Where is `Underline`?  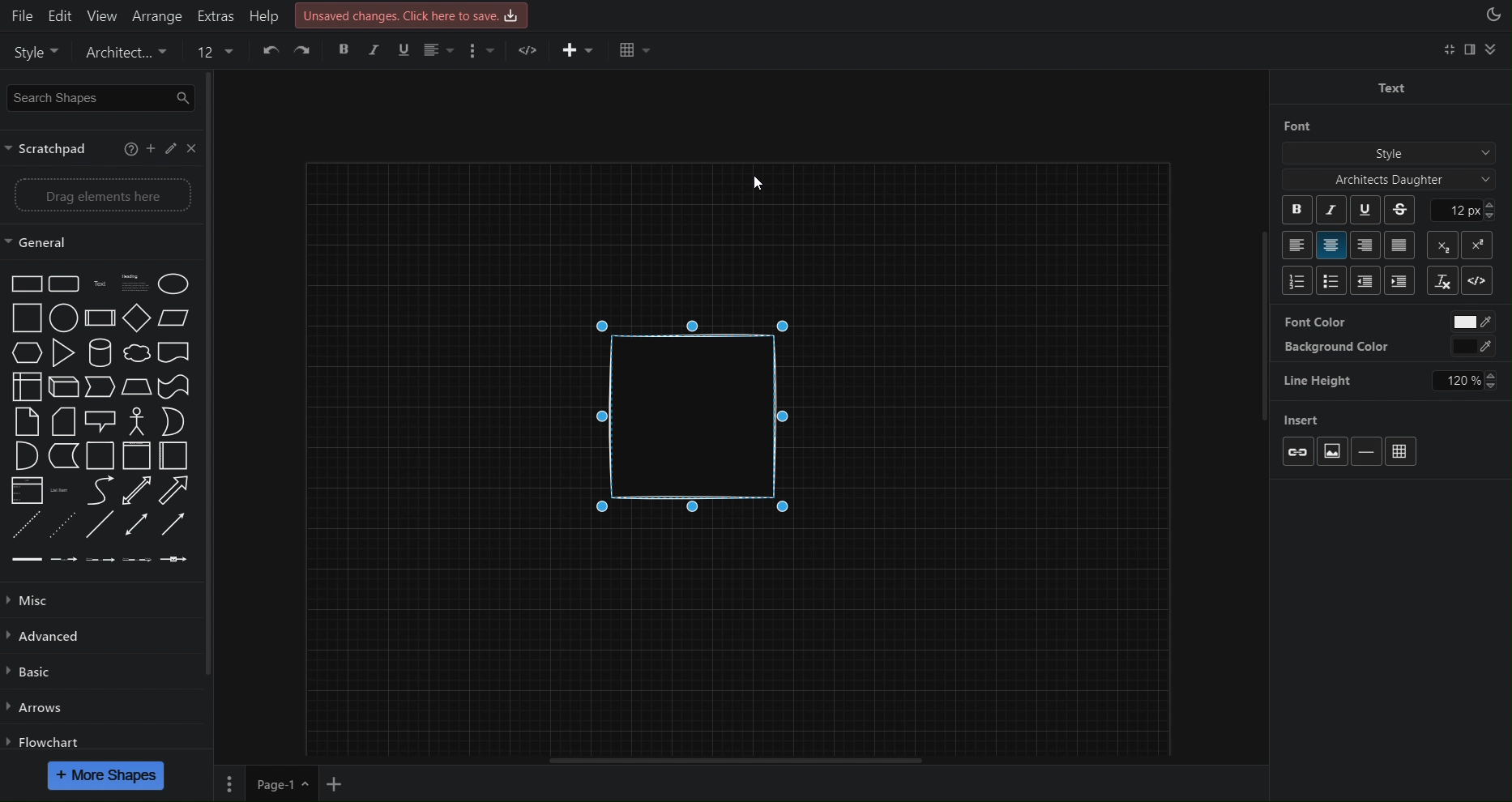 Underline is located at coordinates (1369, 211).